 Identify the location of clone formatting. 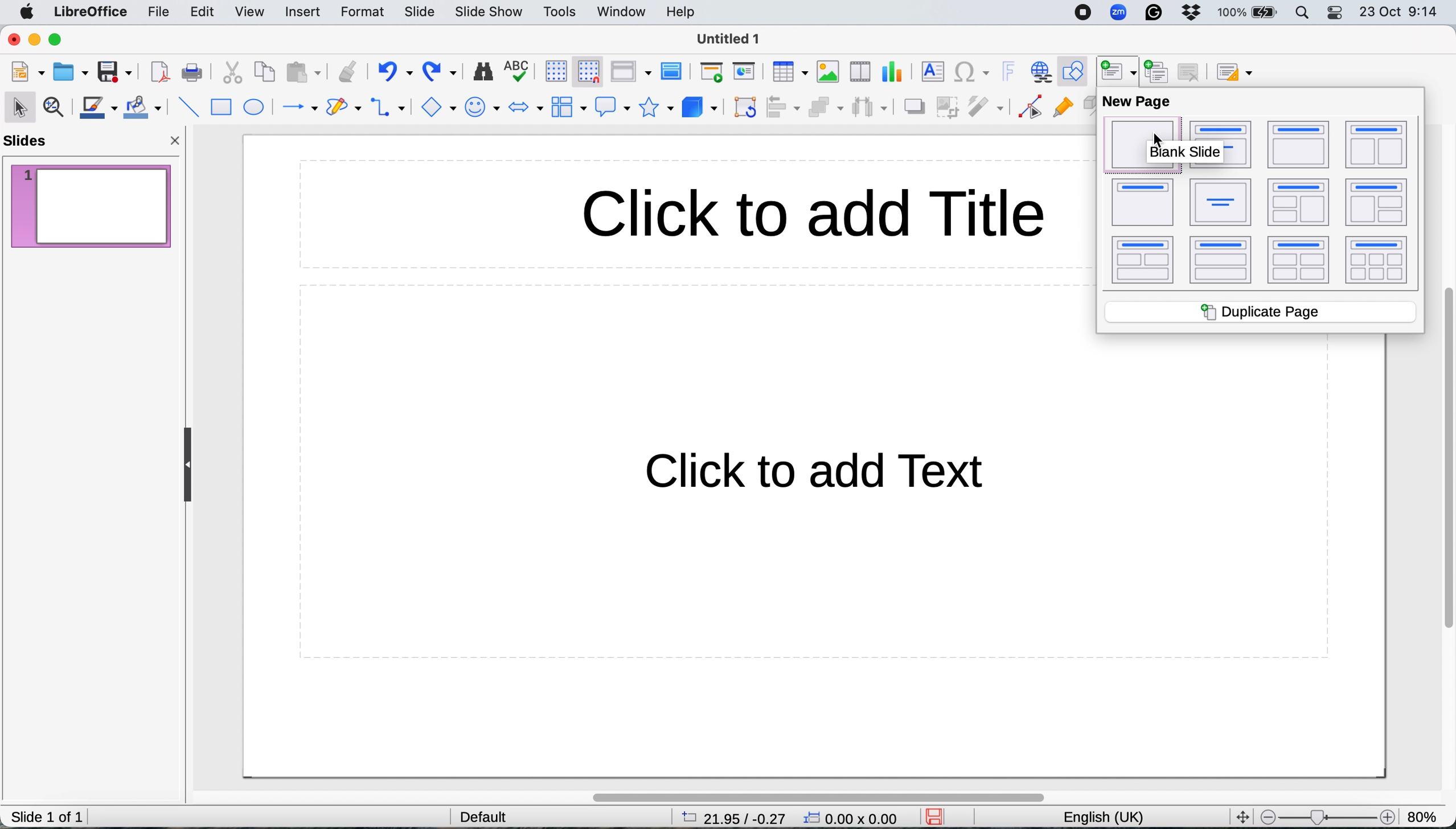
(347, 71).